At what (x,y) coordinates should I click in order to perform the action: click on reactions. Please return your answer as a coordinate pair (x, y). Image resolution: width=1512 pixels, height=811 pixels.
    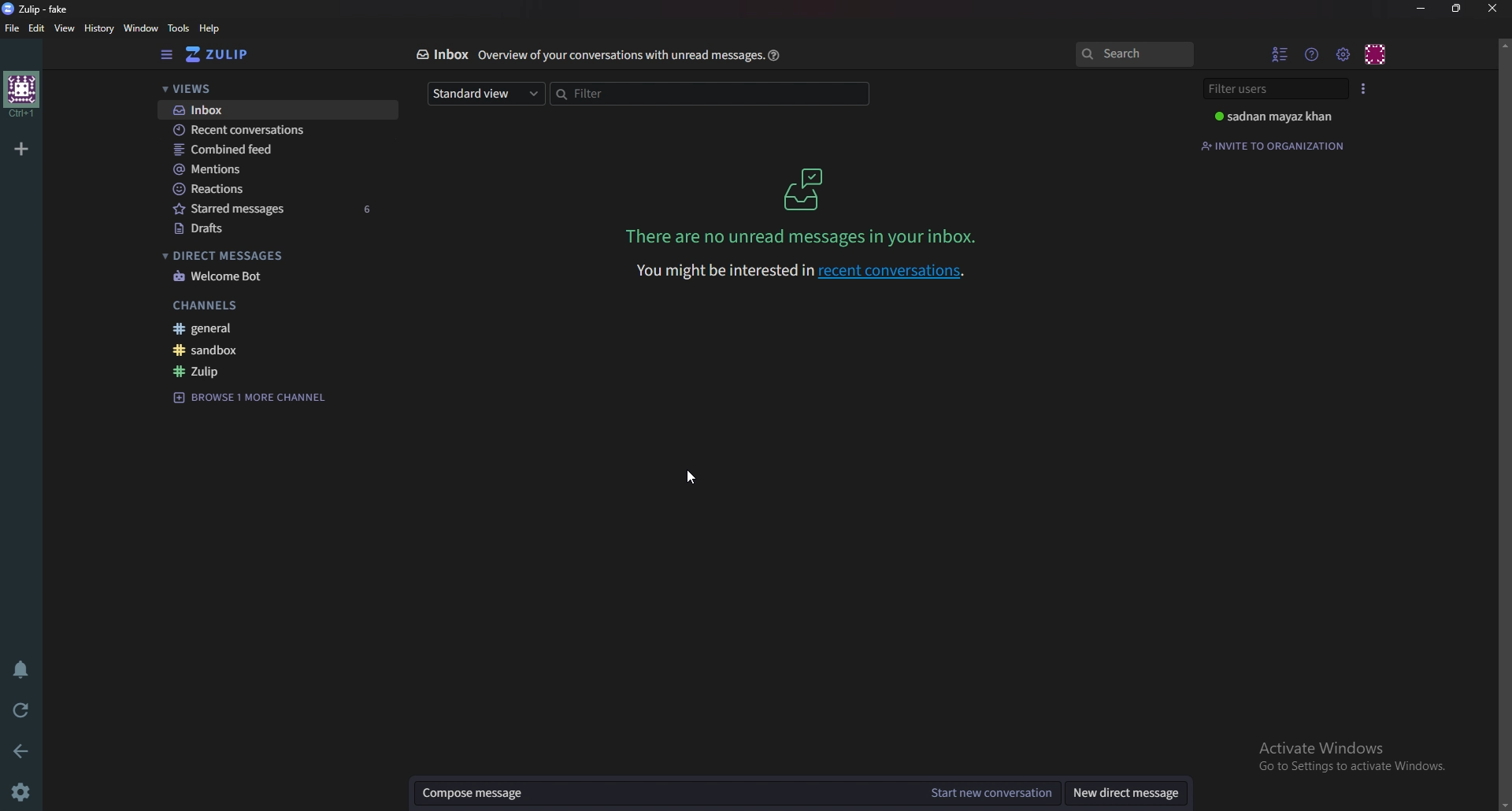
    Looking at the image, I should click on (264, 188).